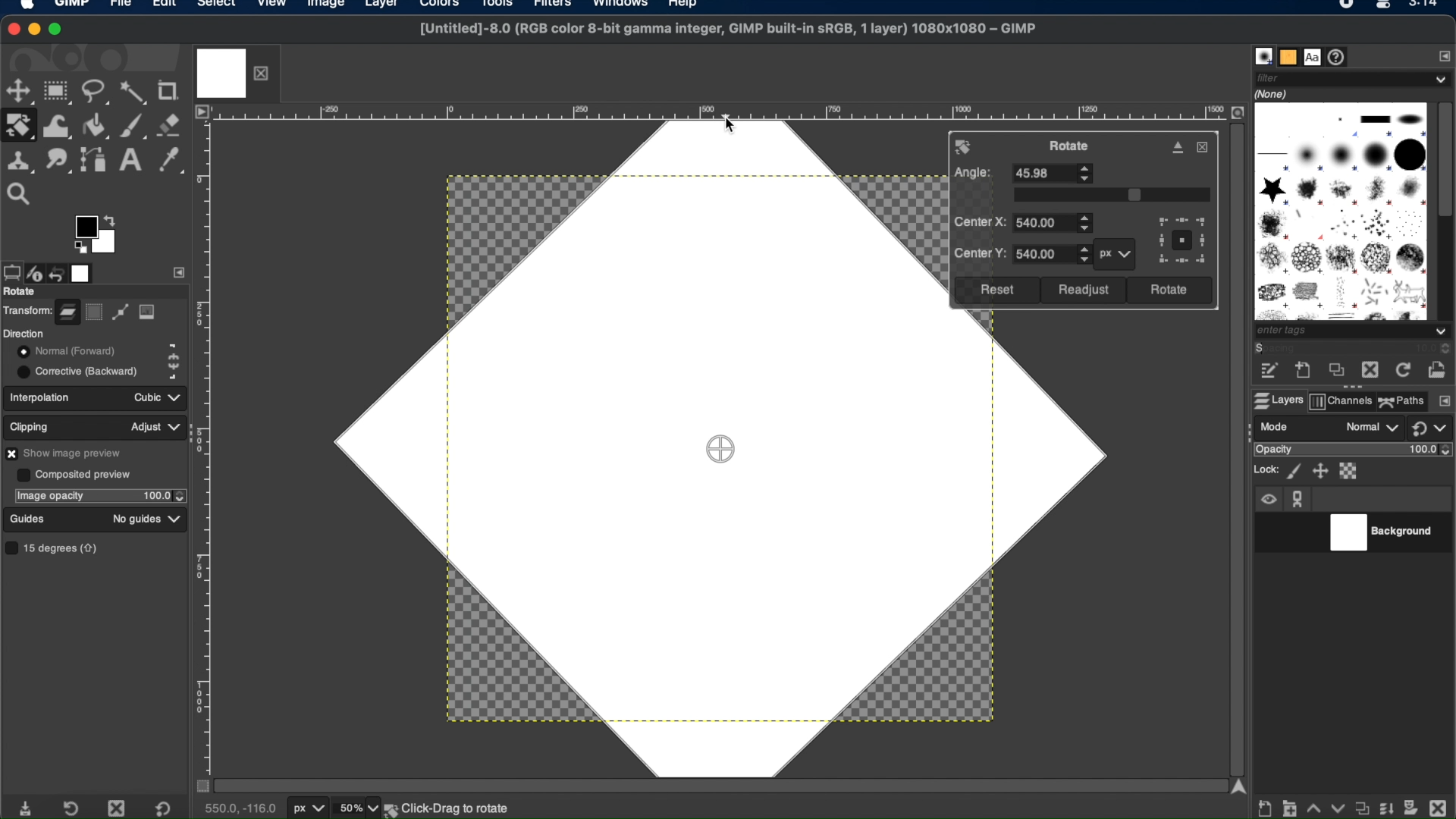 Image resolution: width=1456 pixels, height=819 pixels. I want to click on rotate, so click(1072, 146).